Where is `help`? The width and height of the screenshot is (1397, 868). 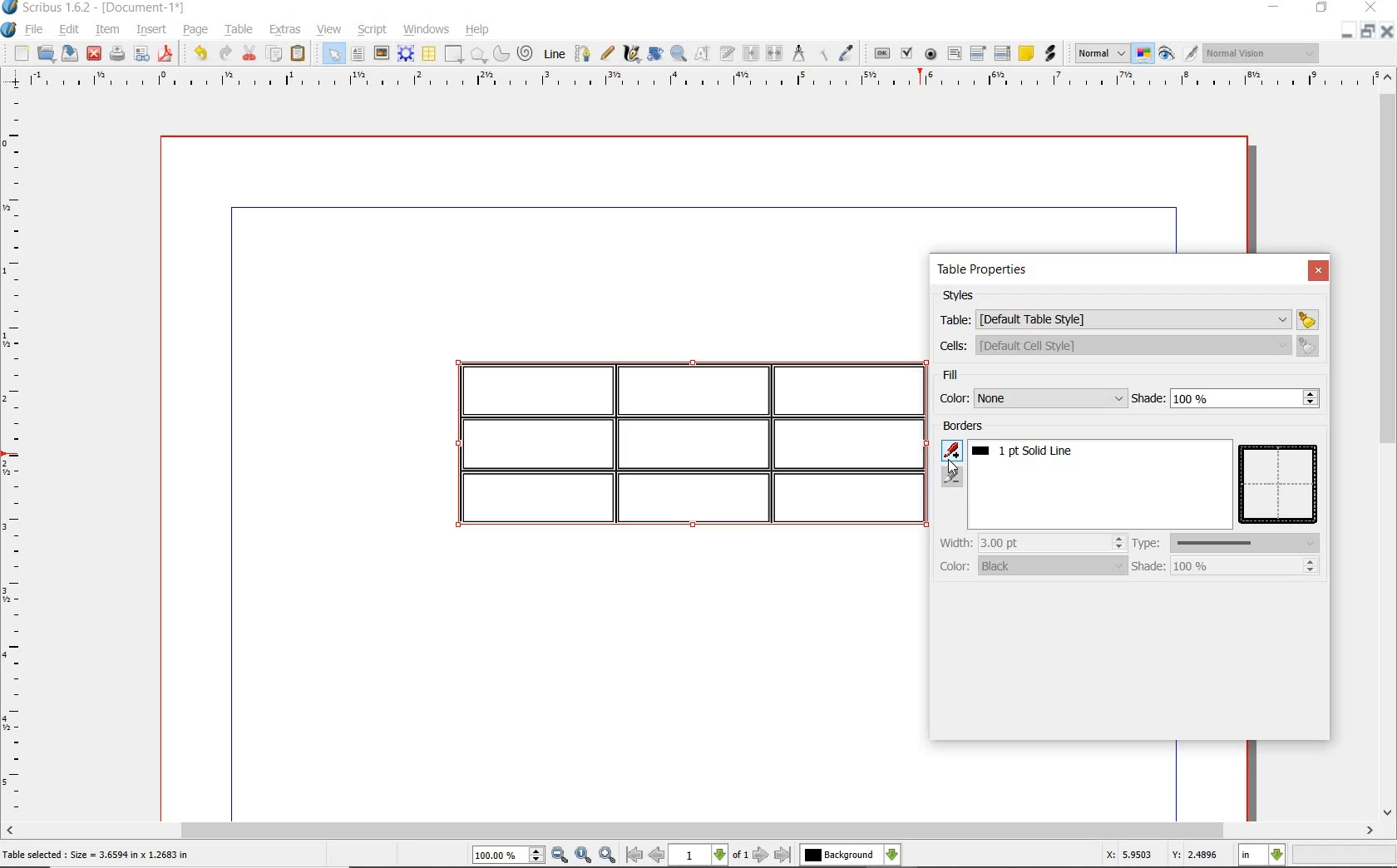 help is located at coordinates (476, 31).